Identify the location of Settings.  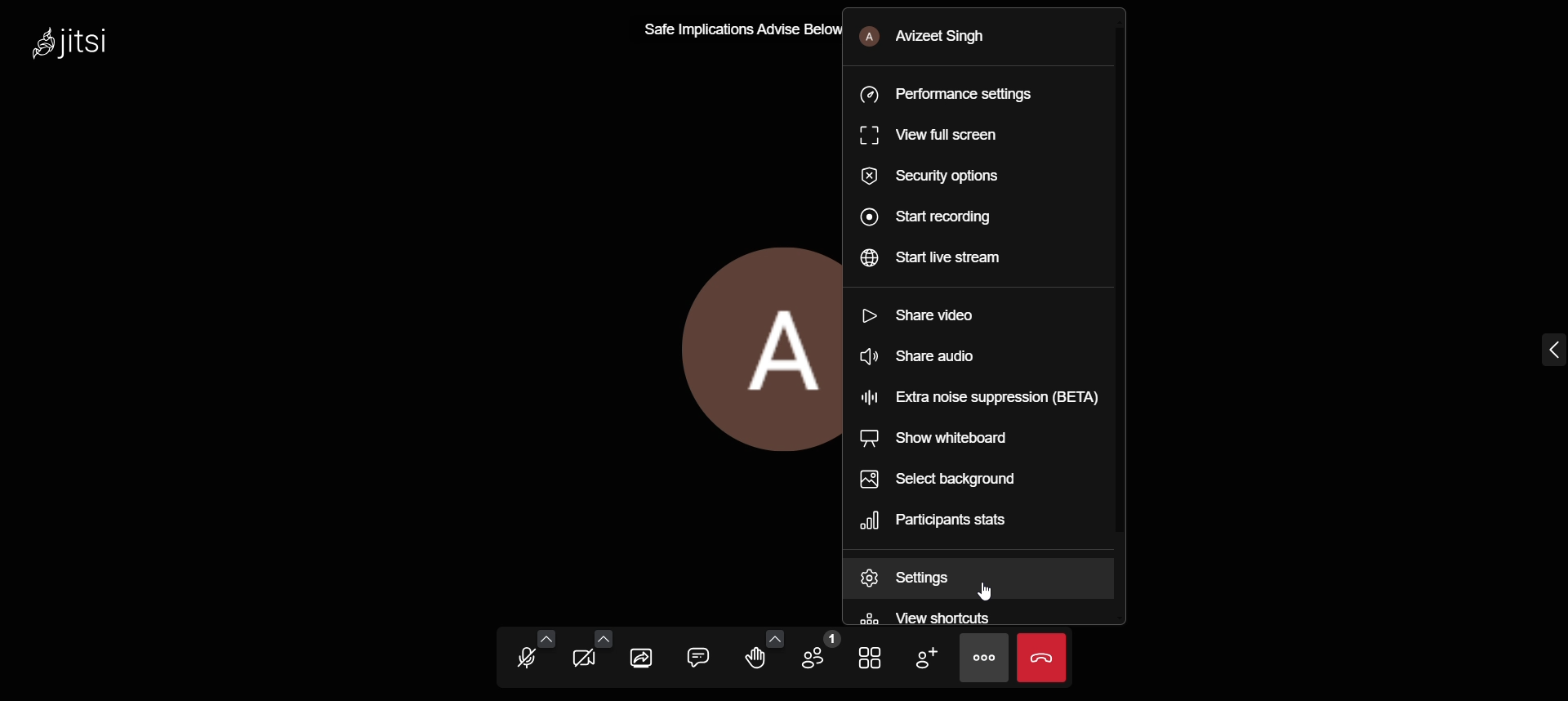
(980, 577).